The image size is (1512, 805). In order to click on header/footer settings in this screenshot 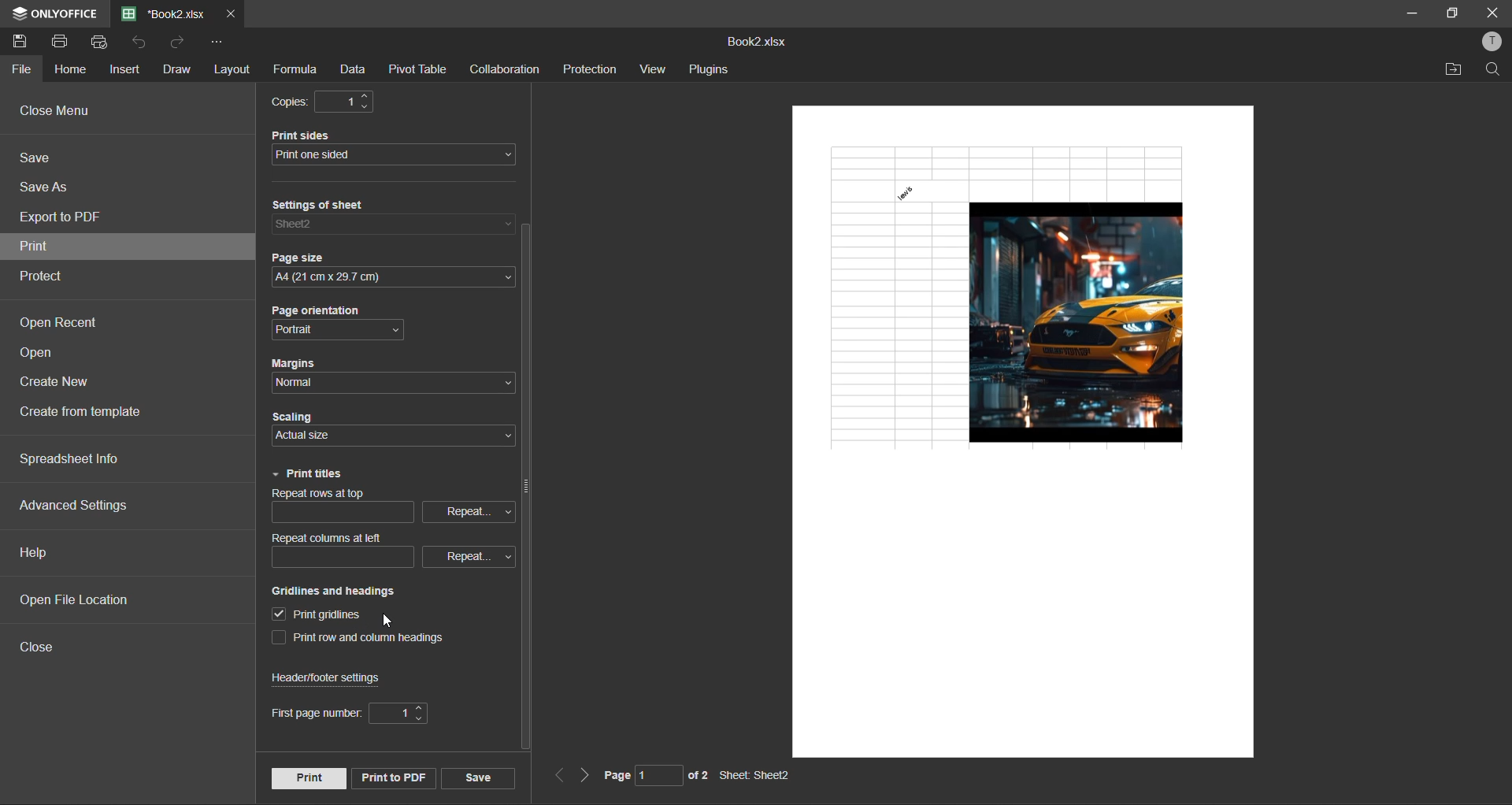, I will do `click(340, 677)`.